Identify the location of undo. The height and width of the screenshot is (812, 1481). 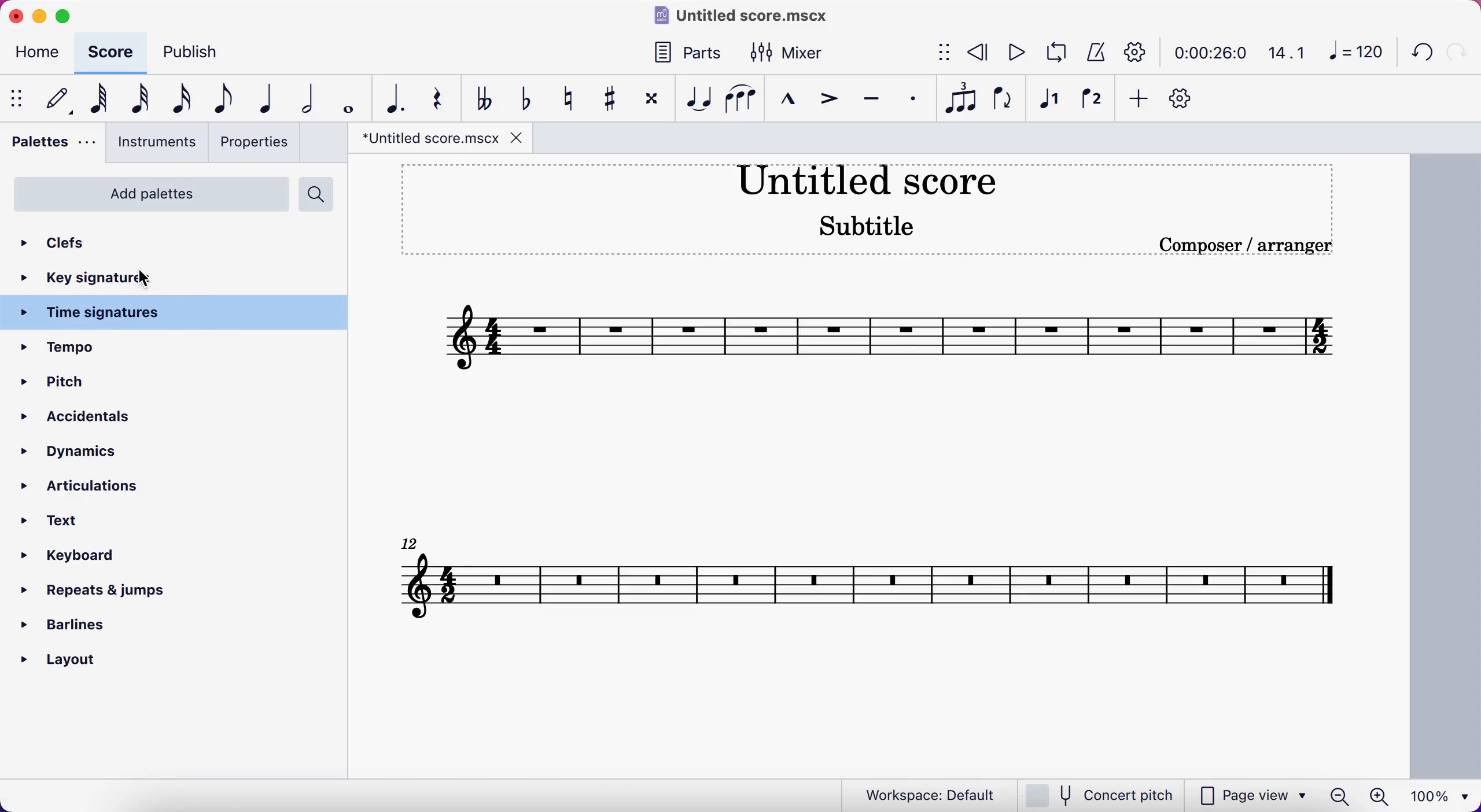
(1417, 54).